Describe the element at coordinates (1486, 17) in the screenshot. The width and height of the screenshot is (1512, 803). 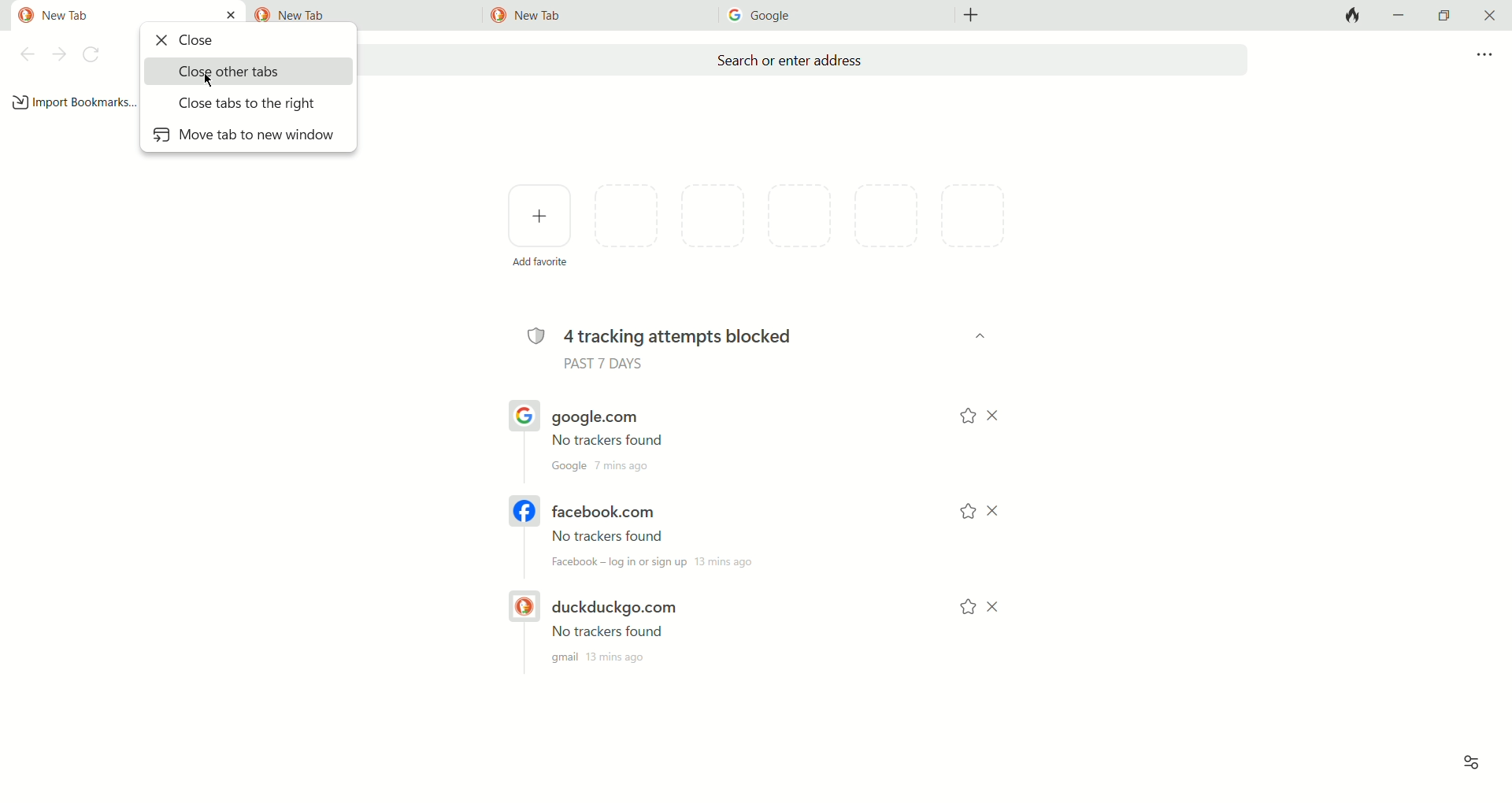
I see `close` at that location.